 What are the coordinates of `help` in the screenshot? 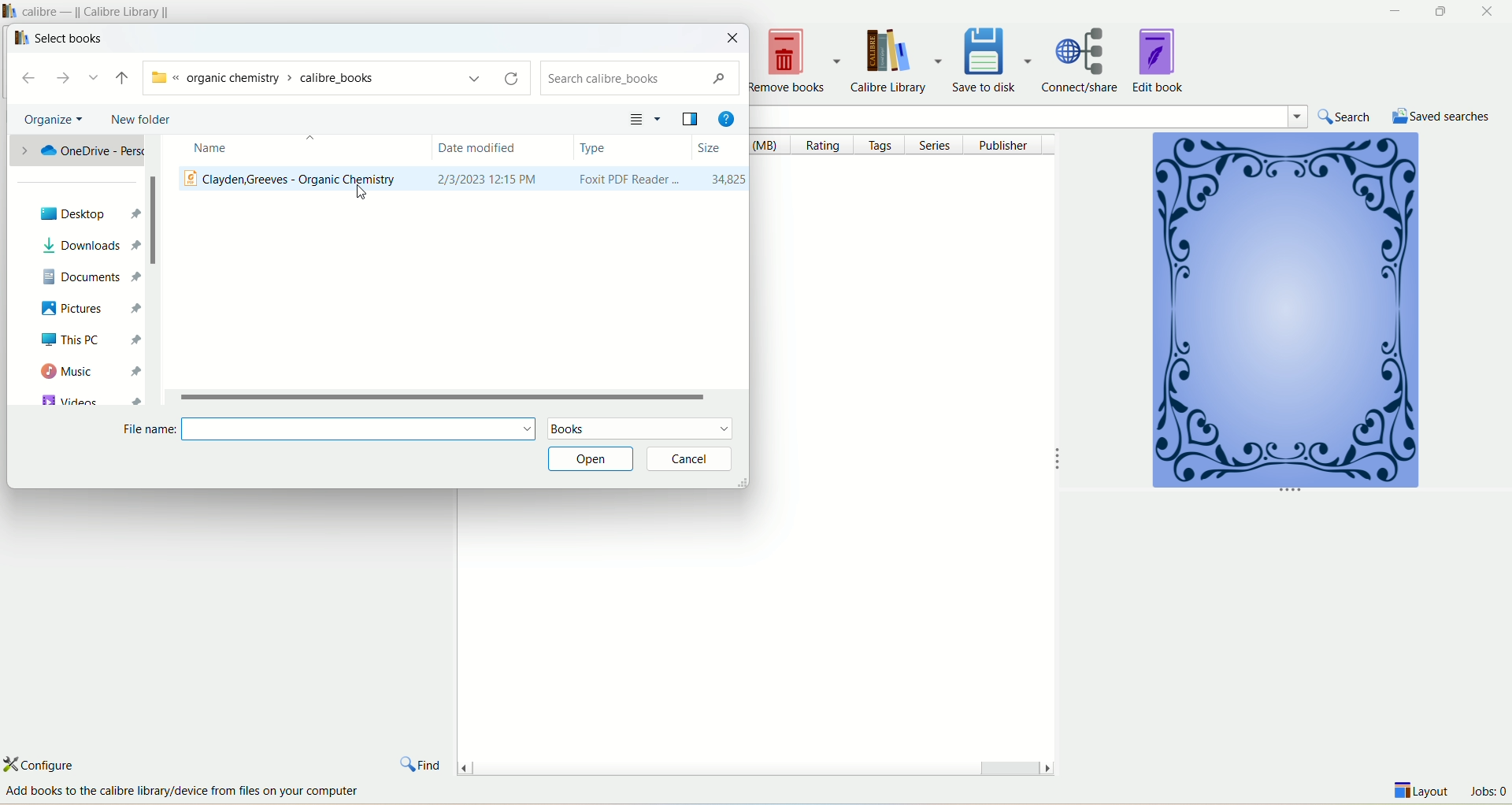 It's located at (725, 115).